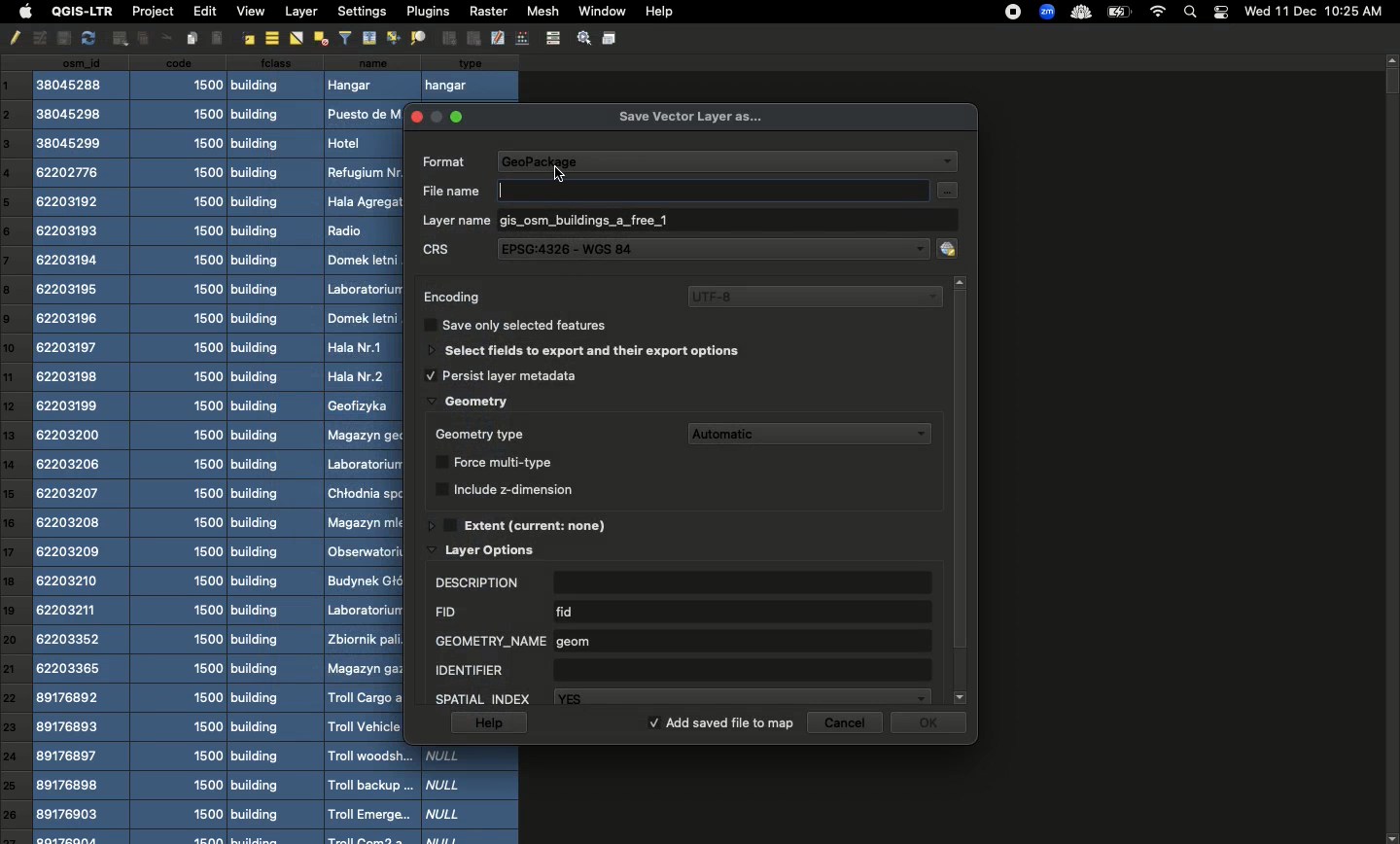  What do you see at coordinates (540, 11) in the screenshot?
I see `Mesh` at bounding box center [540, 11].